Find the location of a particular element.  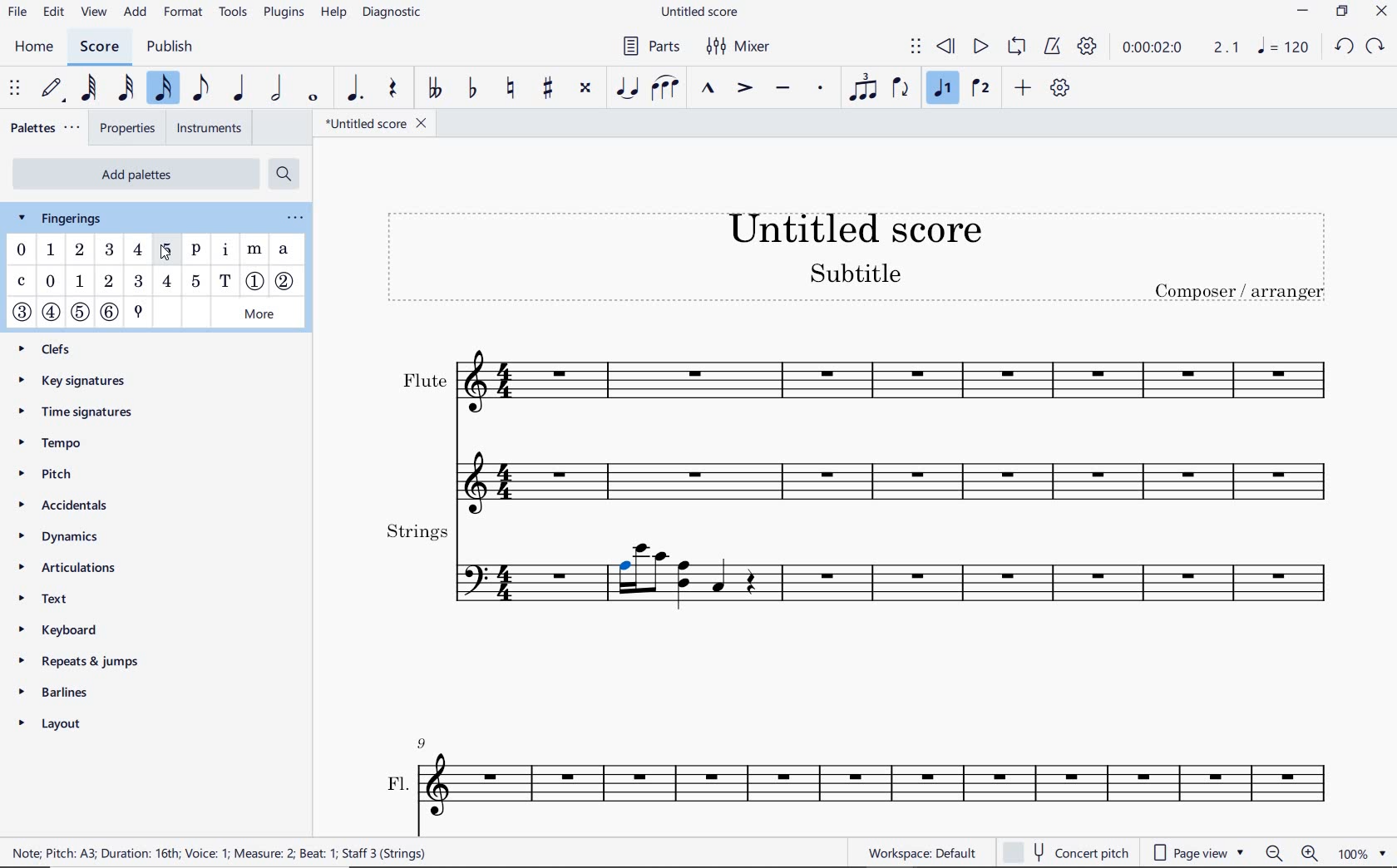

REDO is located at coordinates (1375, 47).